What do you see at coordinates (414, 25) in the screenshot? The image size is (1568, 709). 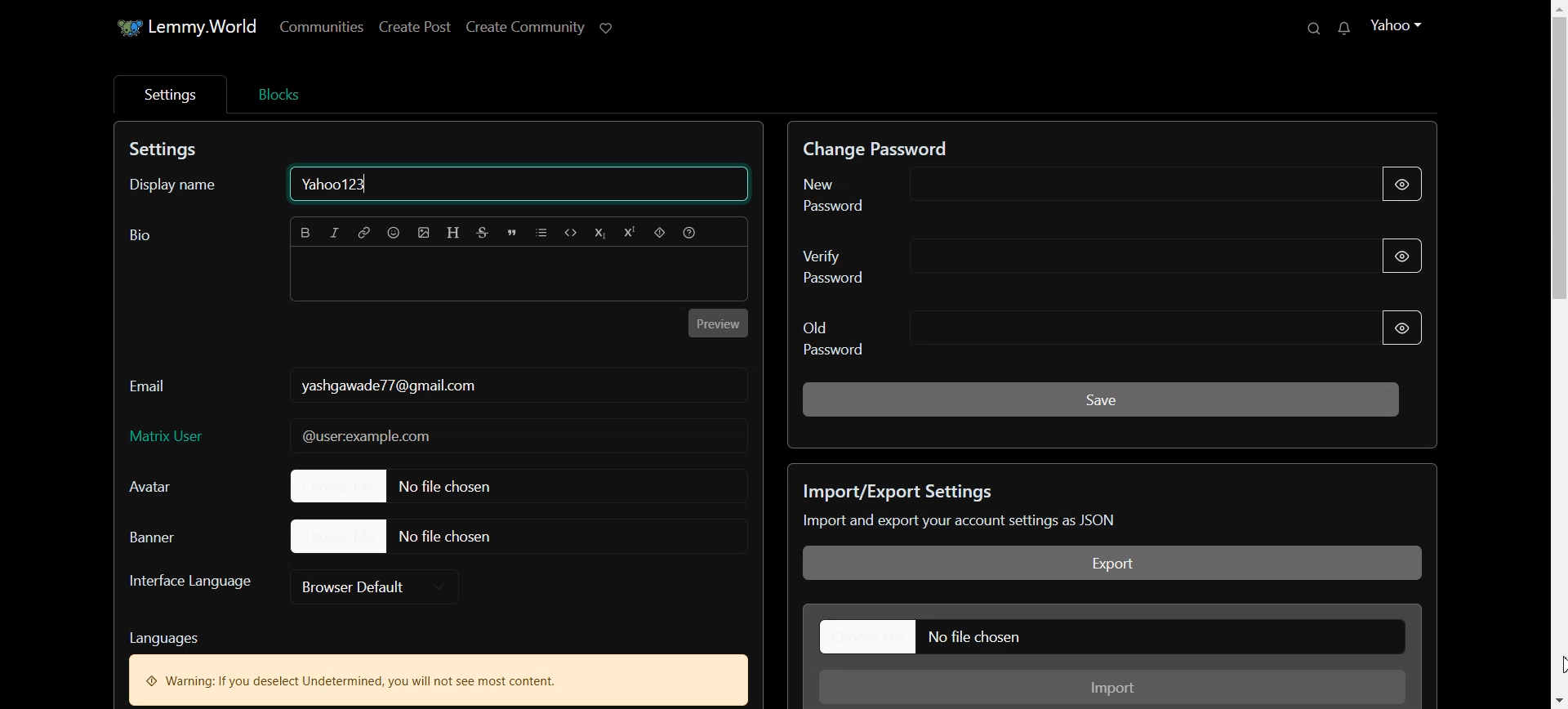 I see `create Post` at bounding box center [414, 25].